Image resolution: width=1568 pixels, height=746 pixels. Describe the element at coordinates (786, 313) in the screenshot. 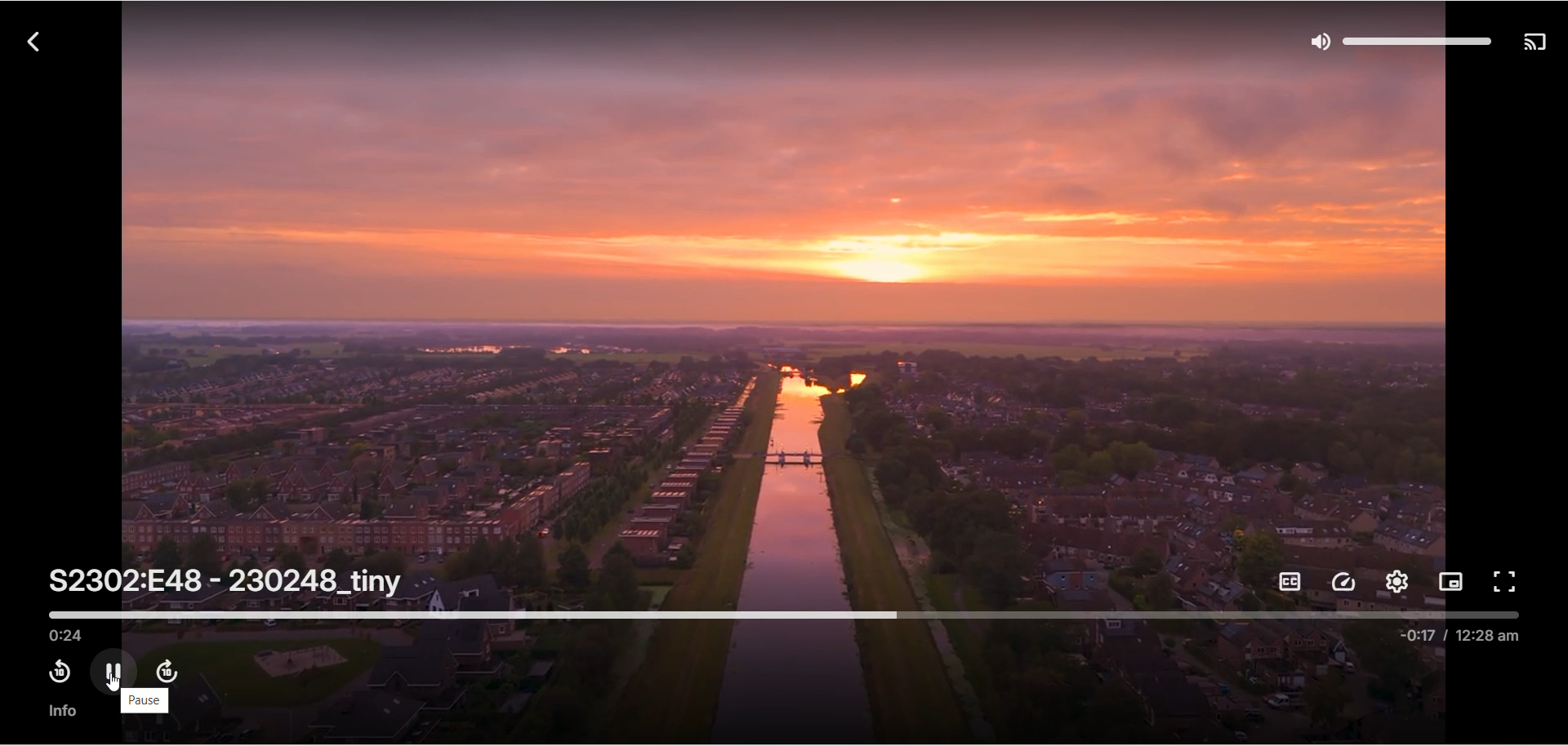

I see `video` at that location.